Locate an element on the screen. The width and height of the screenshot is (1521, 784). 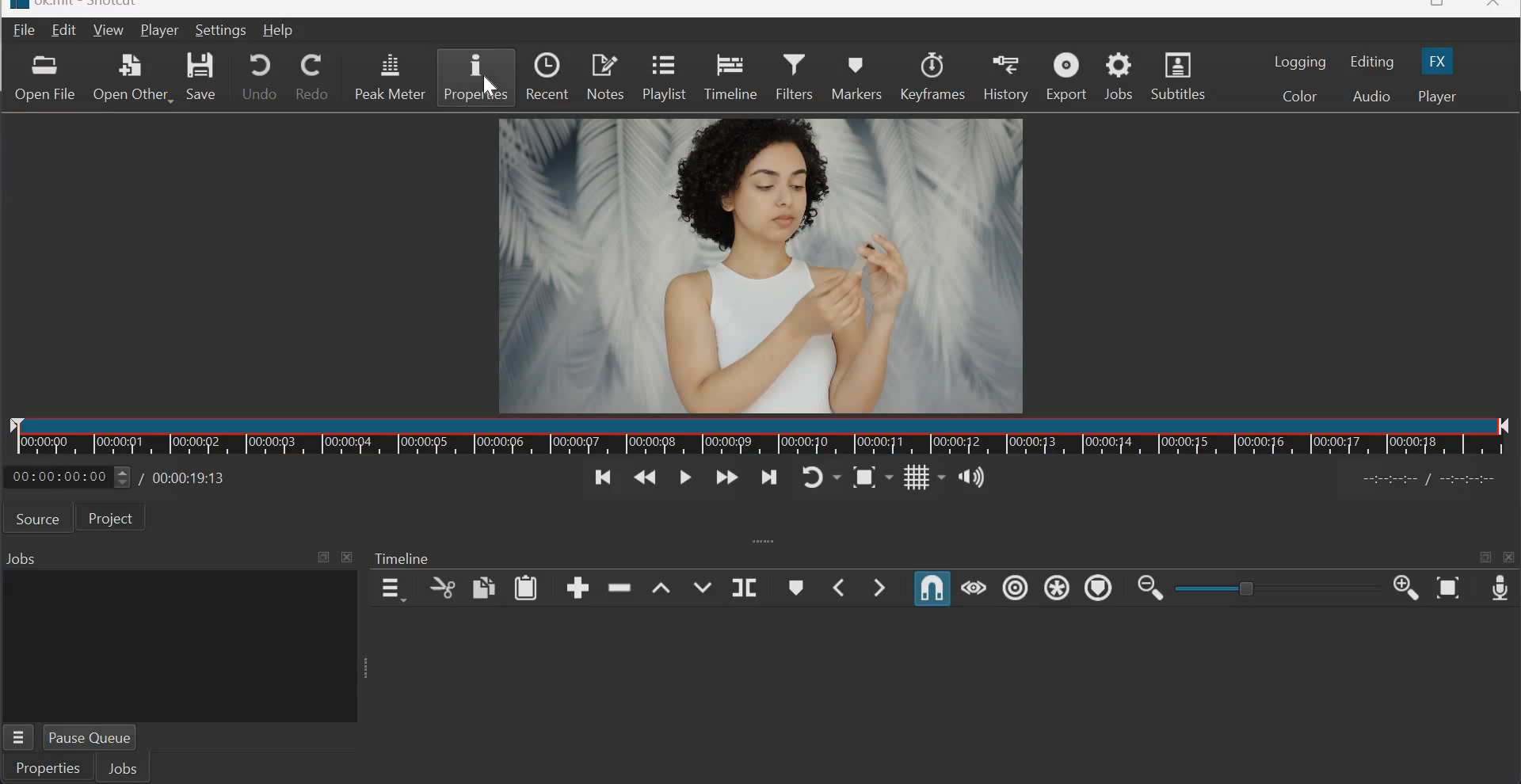
Timeline is located at coordinates (403, 559).